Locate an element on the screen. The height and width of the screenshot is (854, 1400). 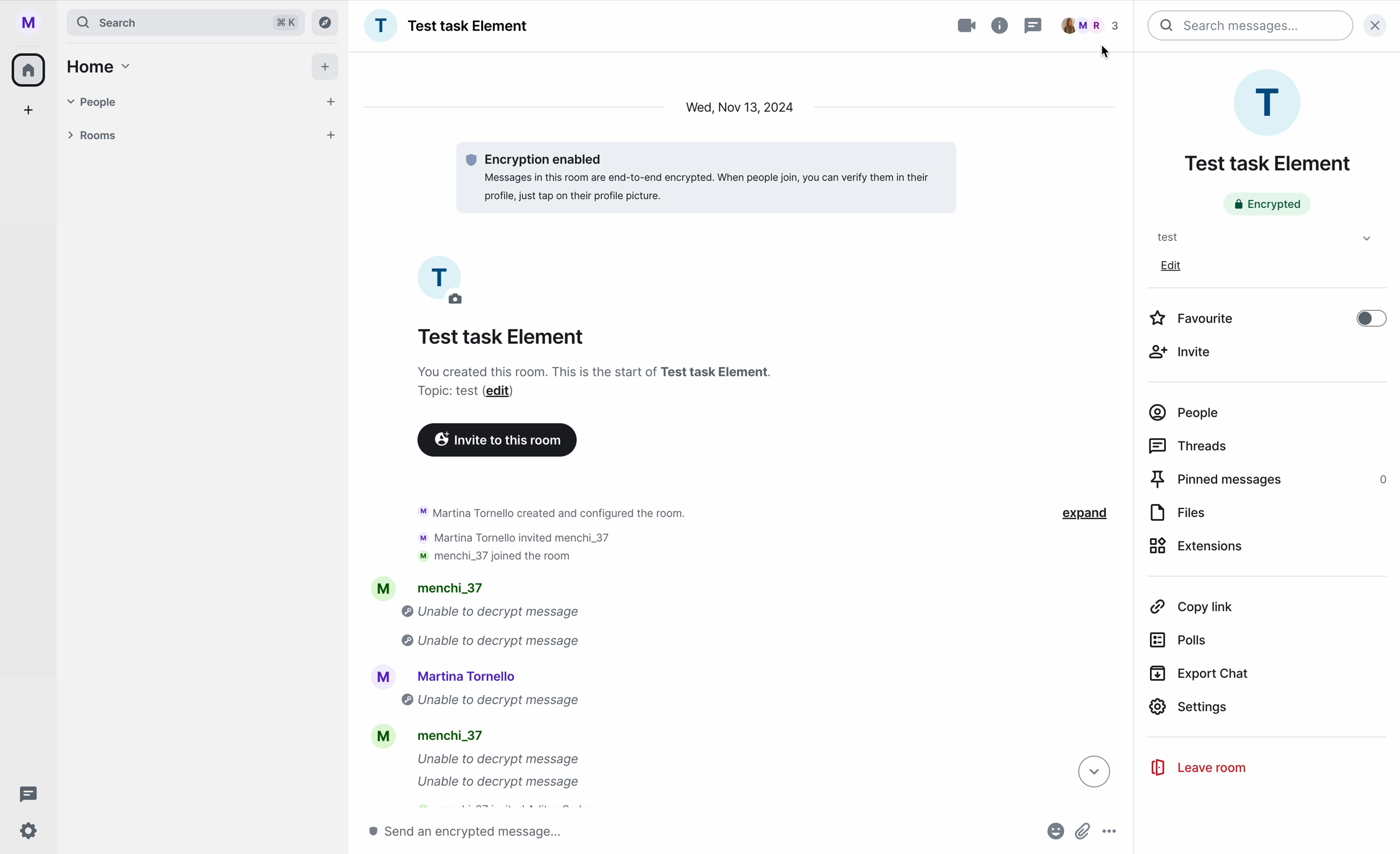
activity chat is located at coordinates (536, 652).